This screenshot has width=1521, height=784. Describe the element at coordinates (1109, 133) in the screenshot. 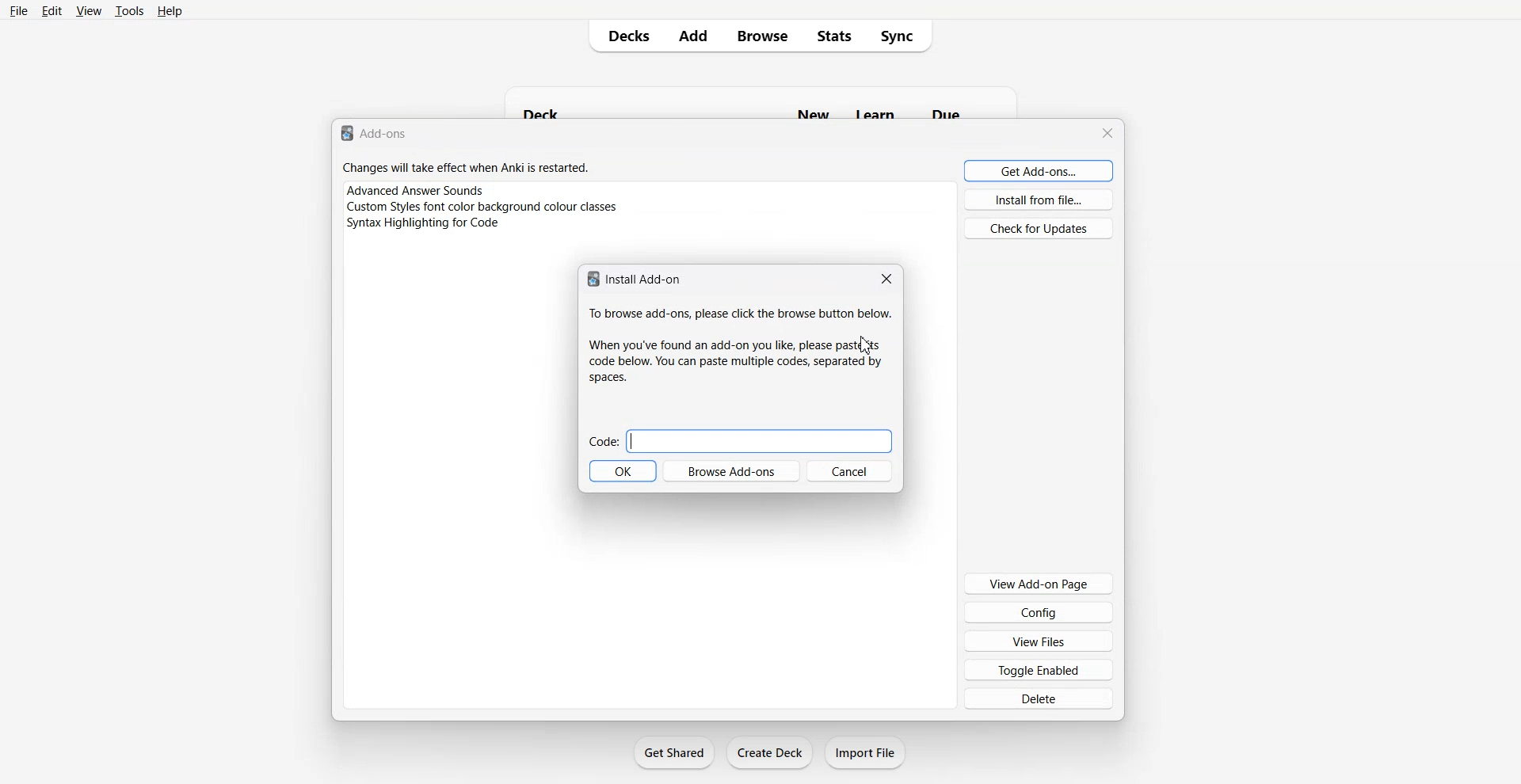

I see `Close` at that location.